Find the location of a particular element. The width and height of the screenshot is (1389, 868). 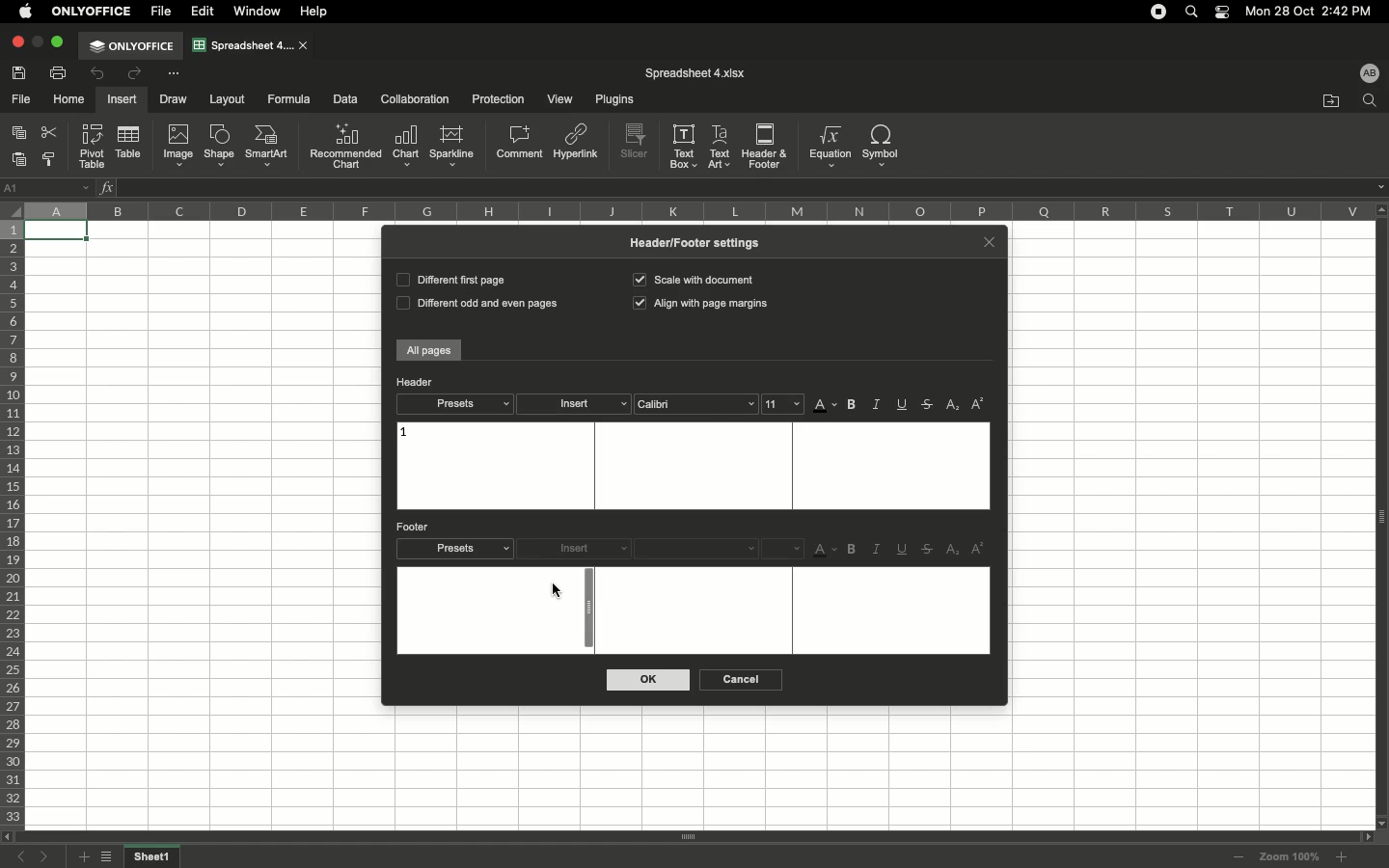

Calibri is located at coordinates (695, 404).